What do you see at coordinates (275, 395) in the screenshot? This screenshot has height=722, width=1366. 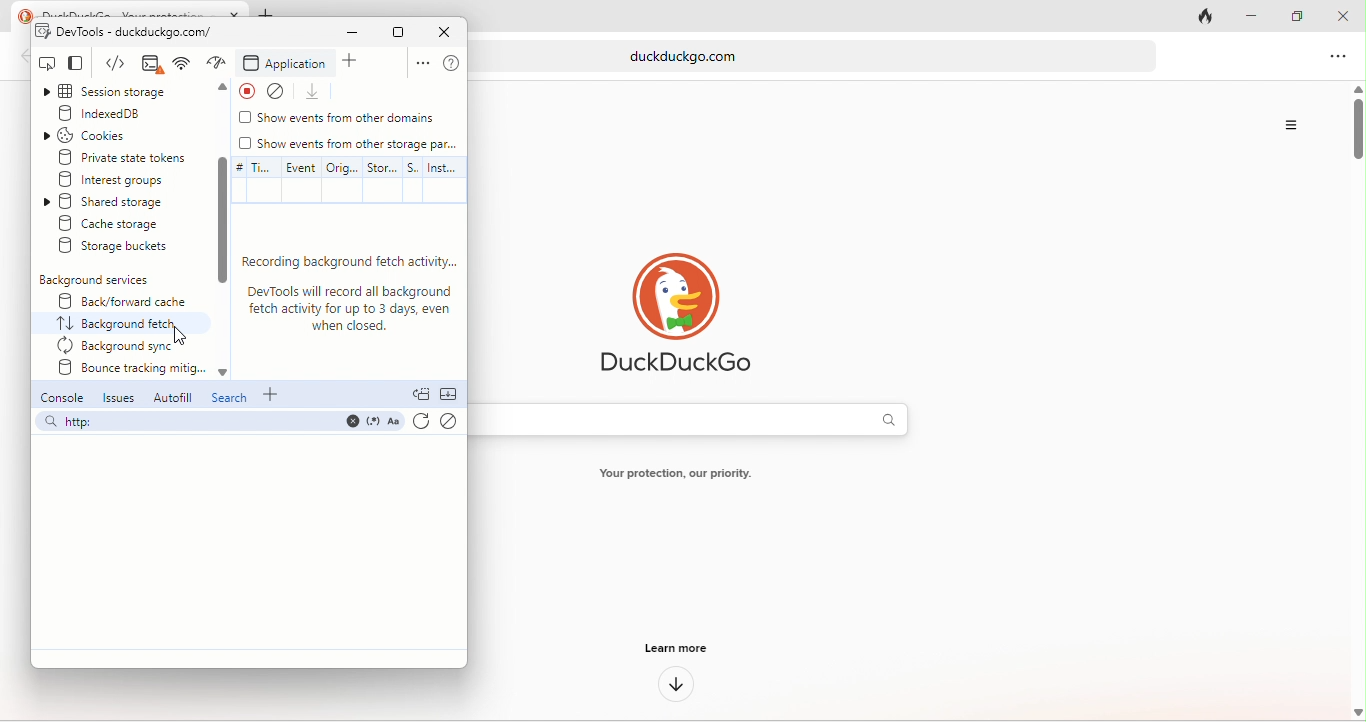 I see `add` at bounding box center [275, 395].